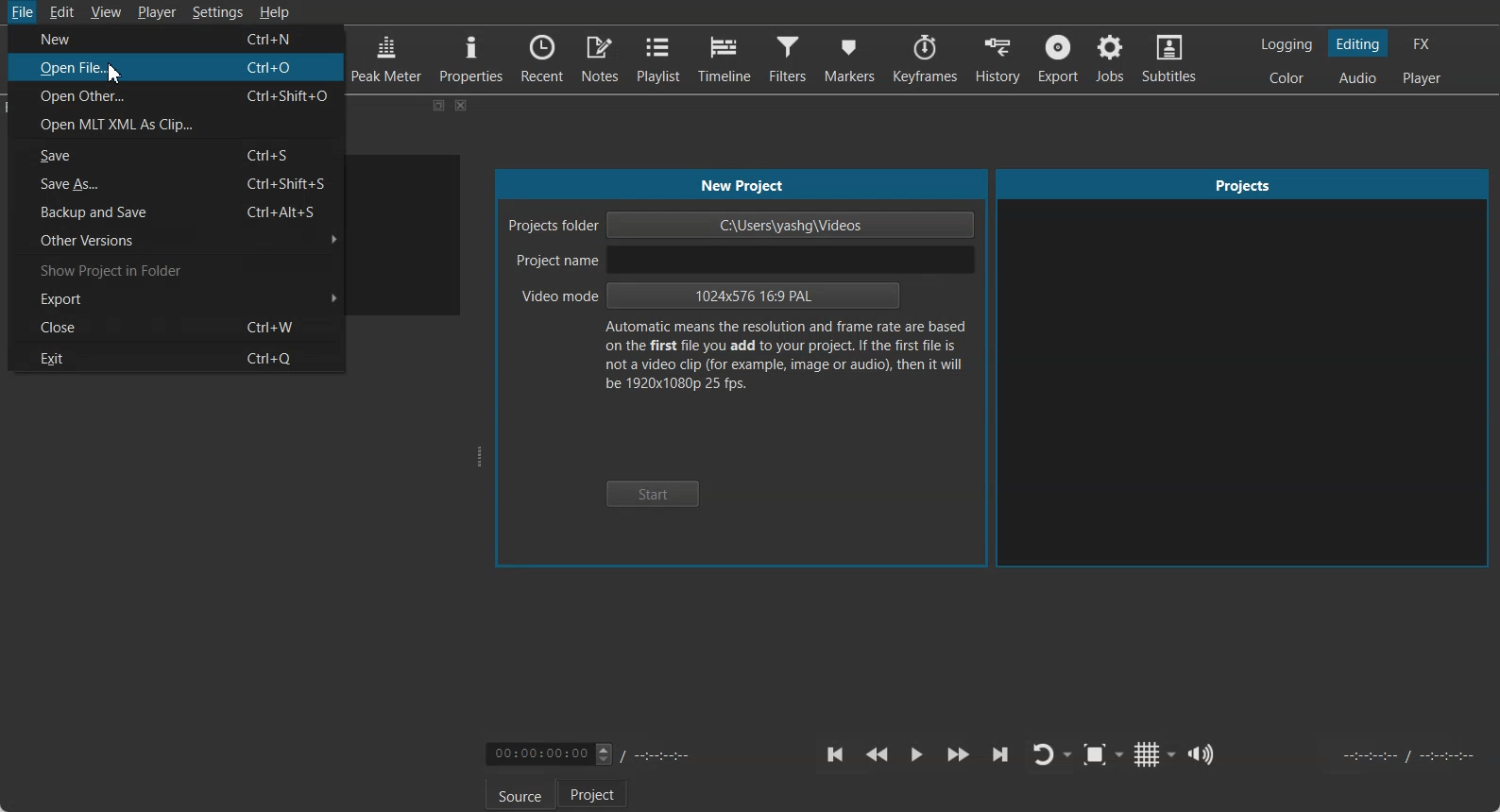  What do you see at coordinates (1287, 44) in the screenshot?
I see `Switch to the Logging layout` at bounding box center [1287, 44].